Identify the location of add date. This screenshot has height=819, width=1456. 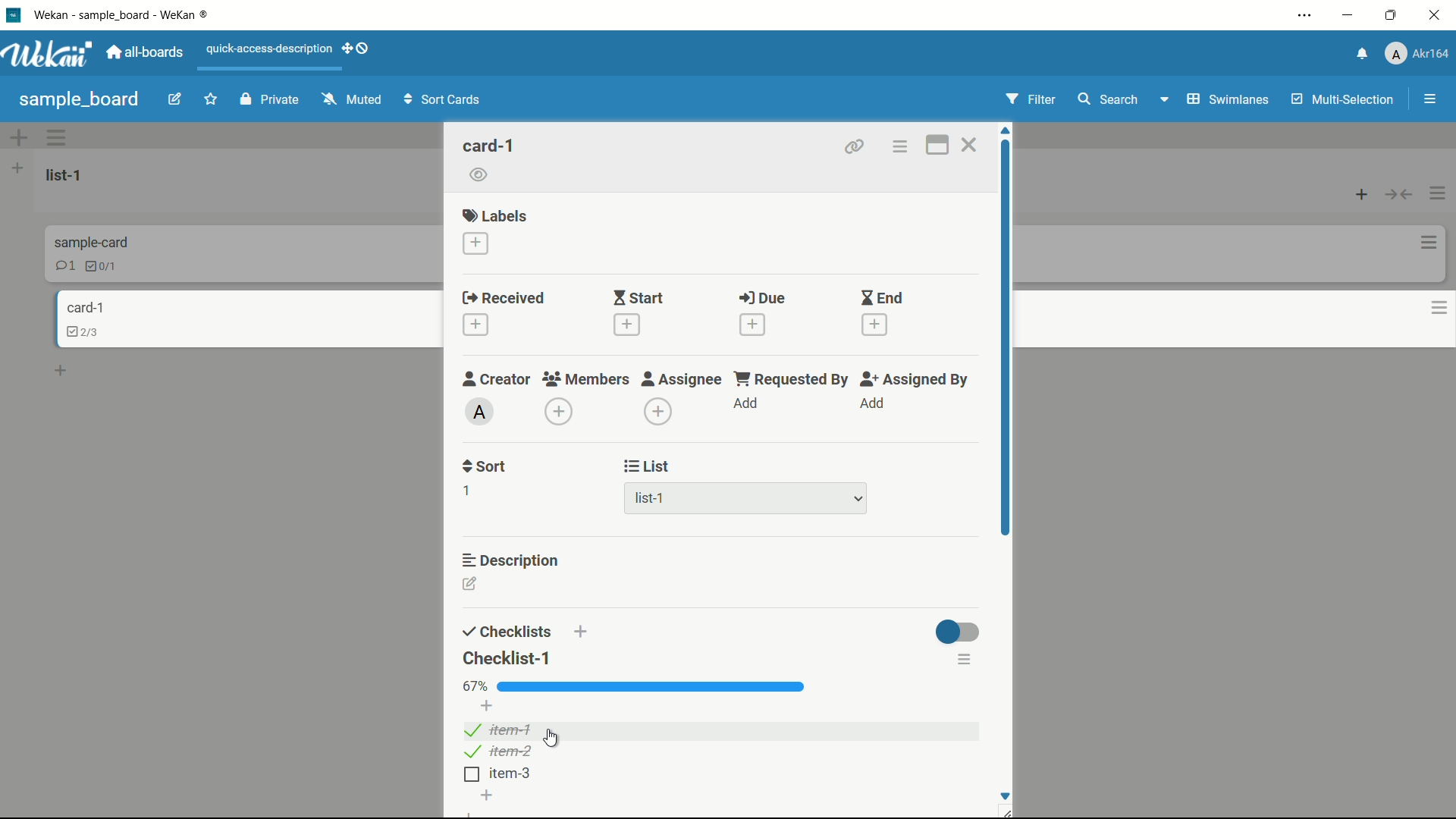
(627, 327).